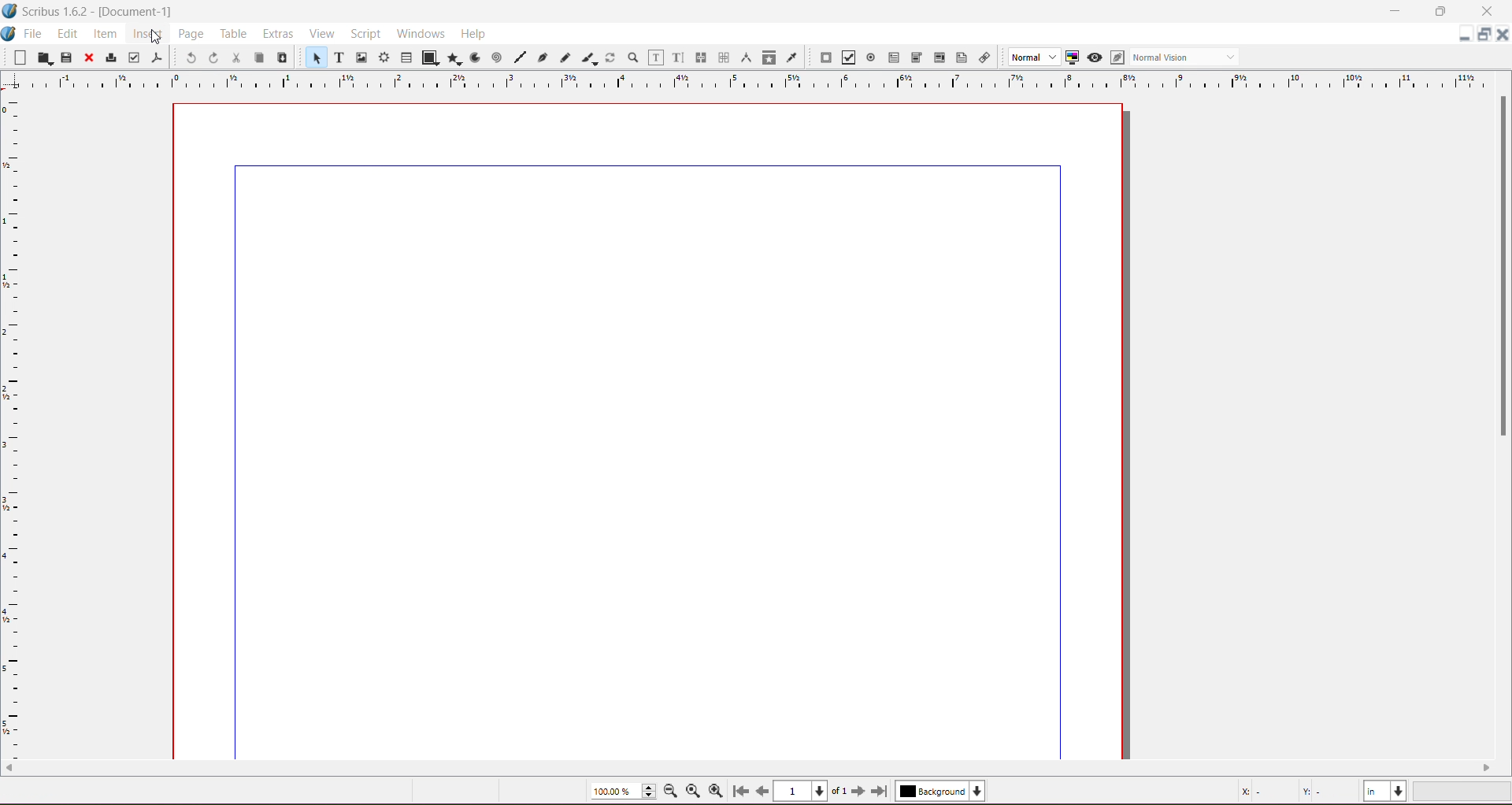 The image size is (1512, 805). Describe the element at coordinates (1117, 57) in the screenshot. I see `Edit in Preview Mode` at that location.